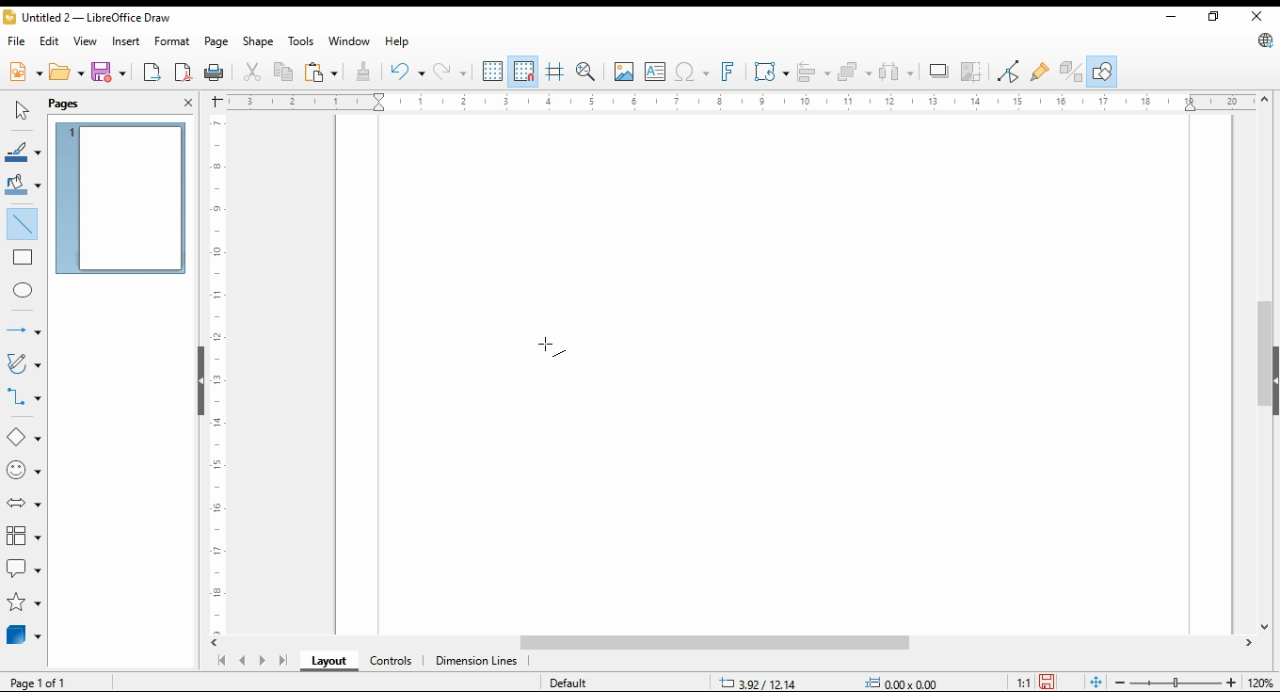  Describe the element at coordinates (477, 662) in the screenshot. I see `dimension lines` at that location.